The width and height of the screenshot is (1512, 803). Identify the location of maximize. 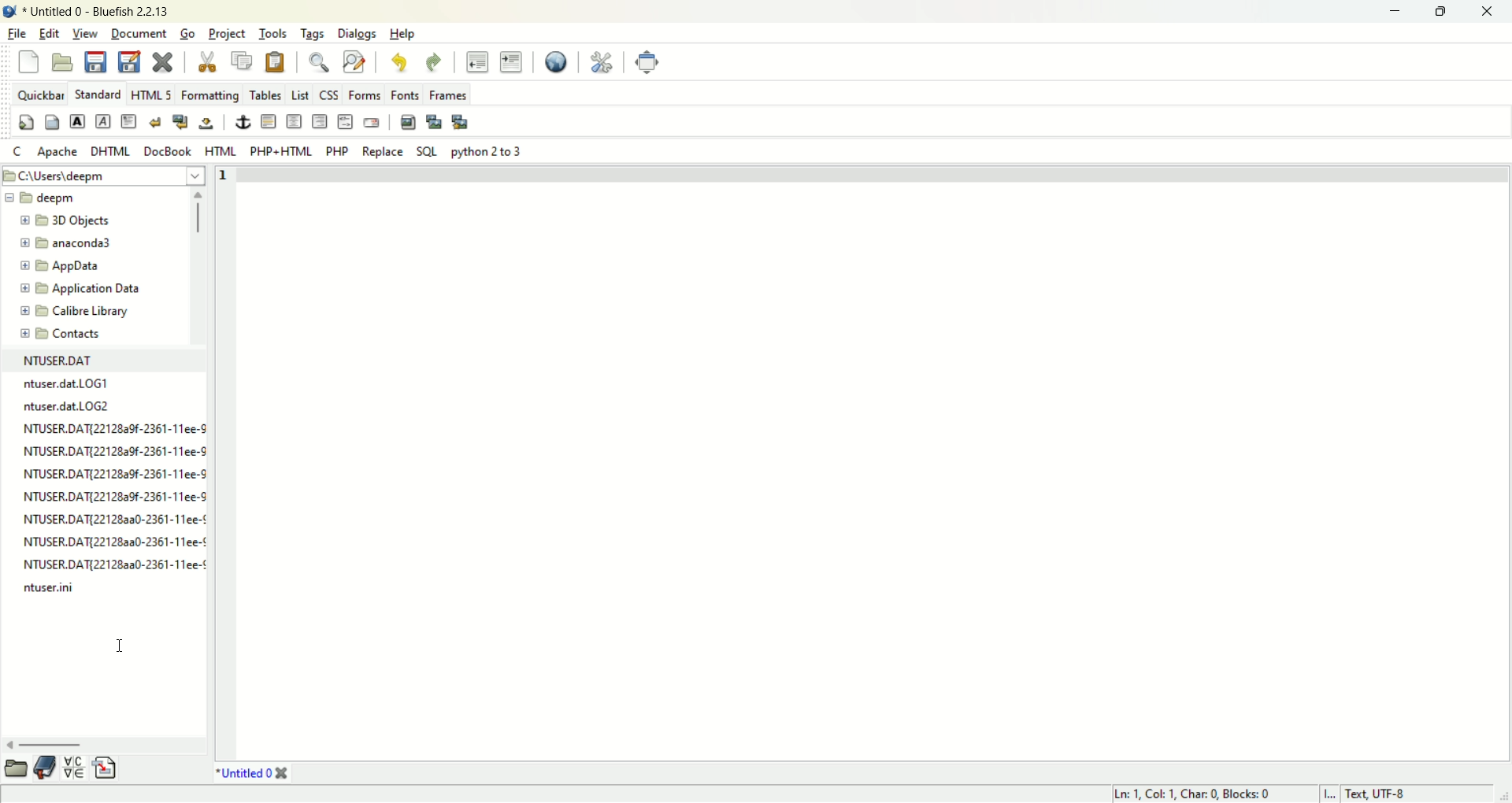
(1448, 12).